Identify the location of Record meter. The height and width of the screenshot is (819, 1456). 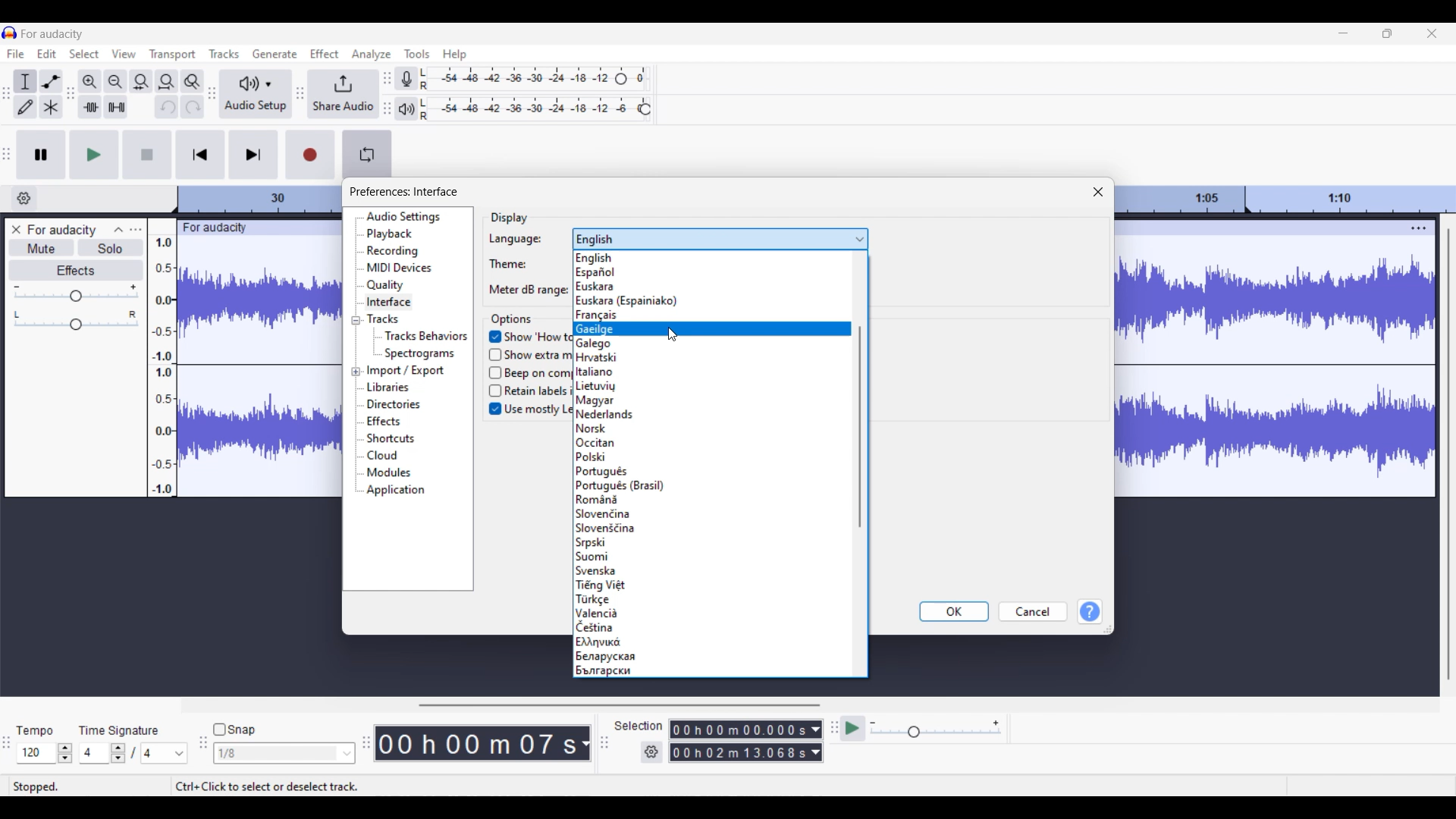
(406, 78).